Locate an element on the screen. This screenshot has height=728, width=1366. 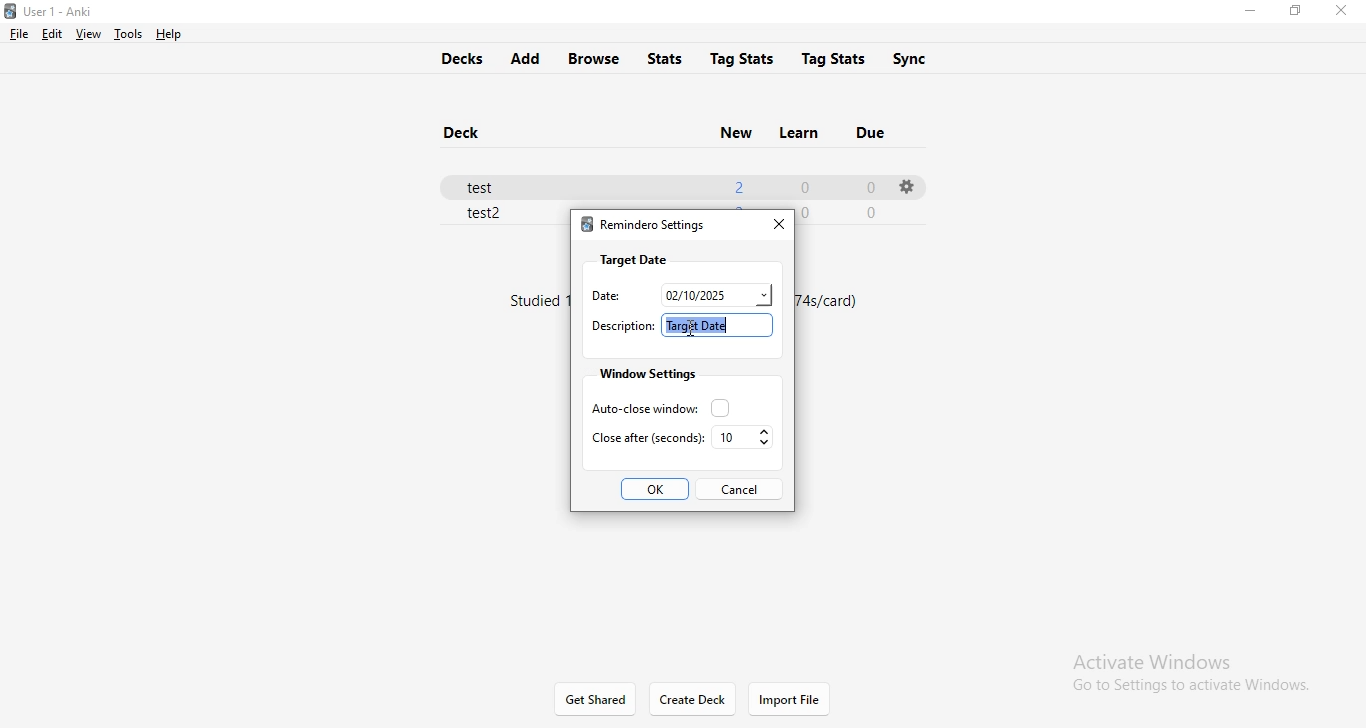
get shared is located at coordinates (597, 700).